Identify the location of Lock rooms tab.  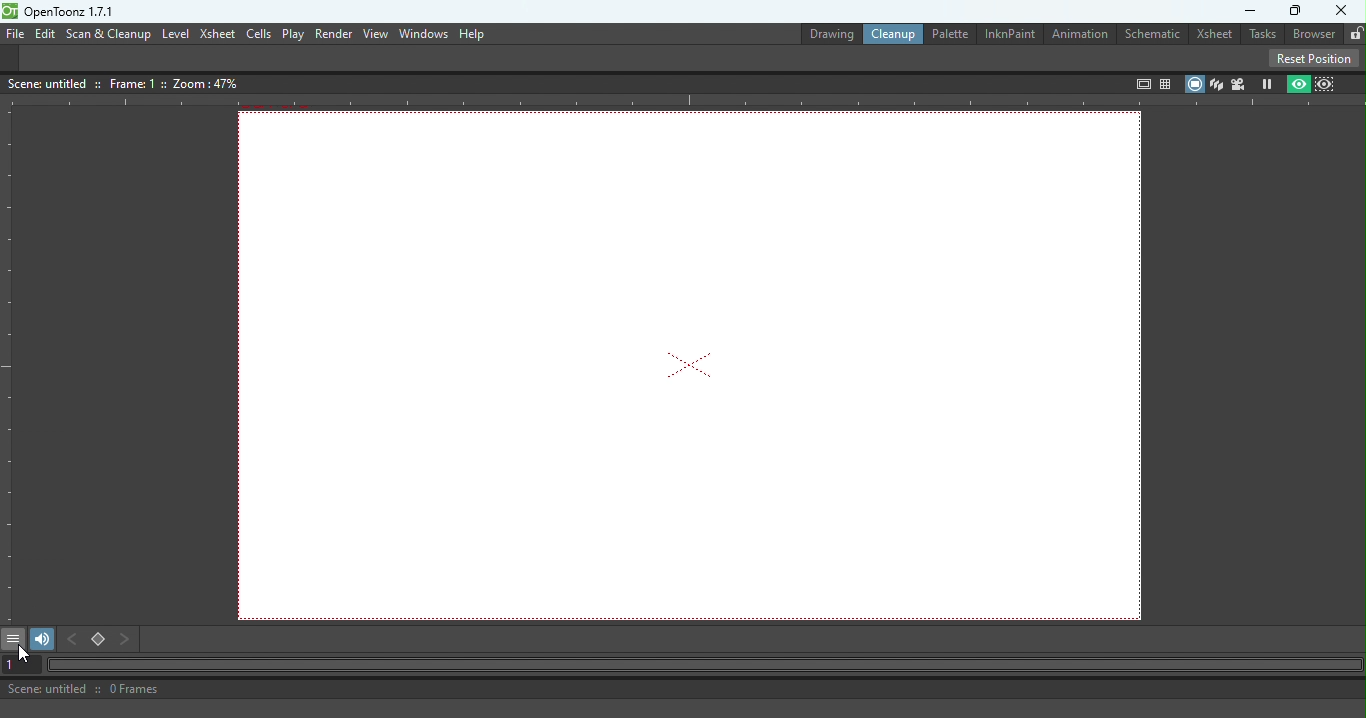
(1352, 32).